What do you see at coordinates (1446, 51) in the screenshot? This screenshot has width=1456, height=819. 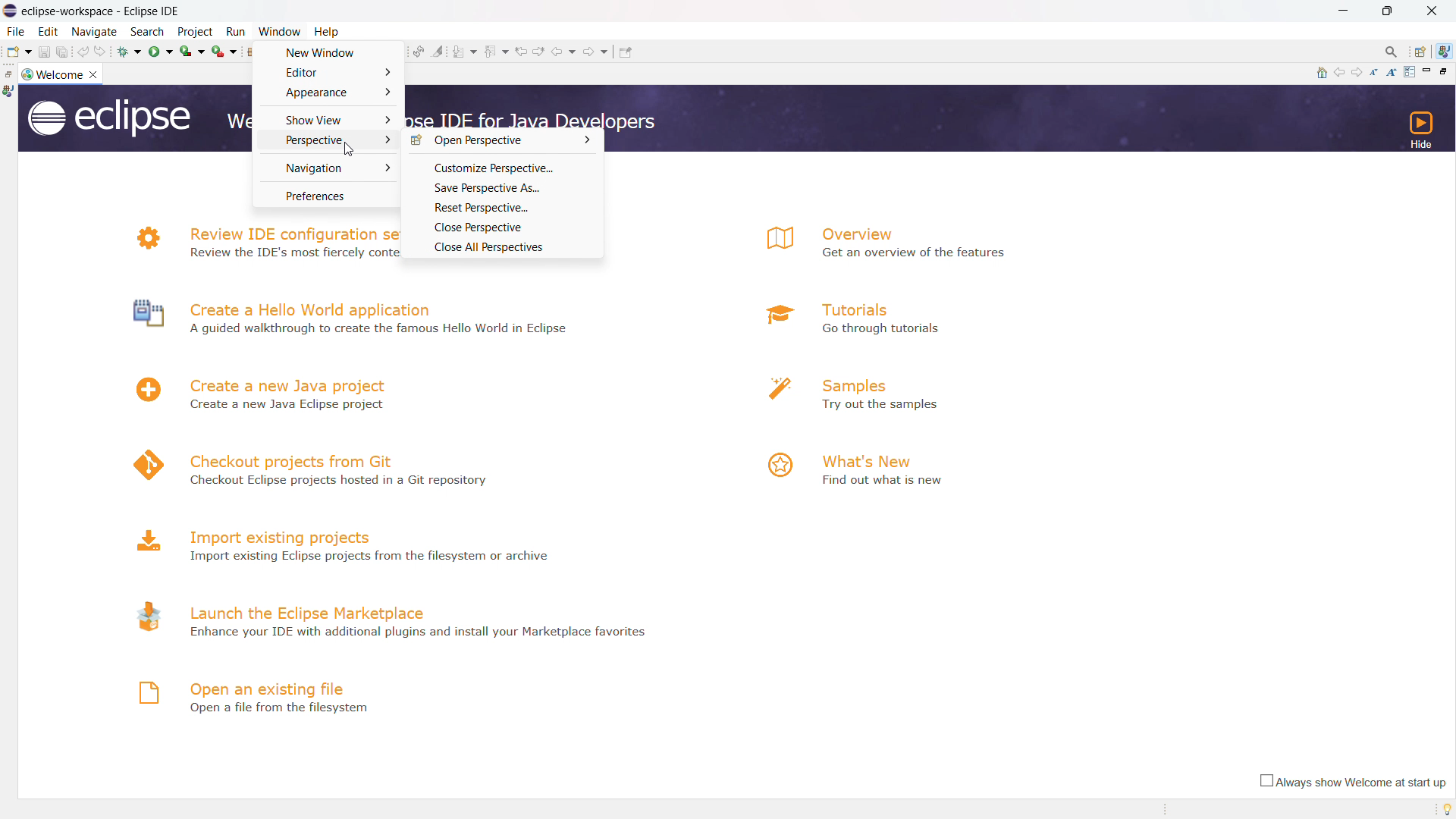 I see `java` at bounding box center [1446, 51].